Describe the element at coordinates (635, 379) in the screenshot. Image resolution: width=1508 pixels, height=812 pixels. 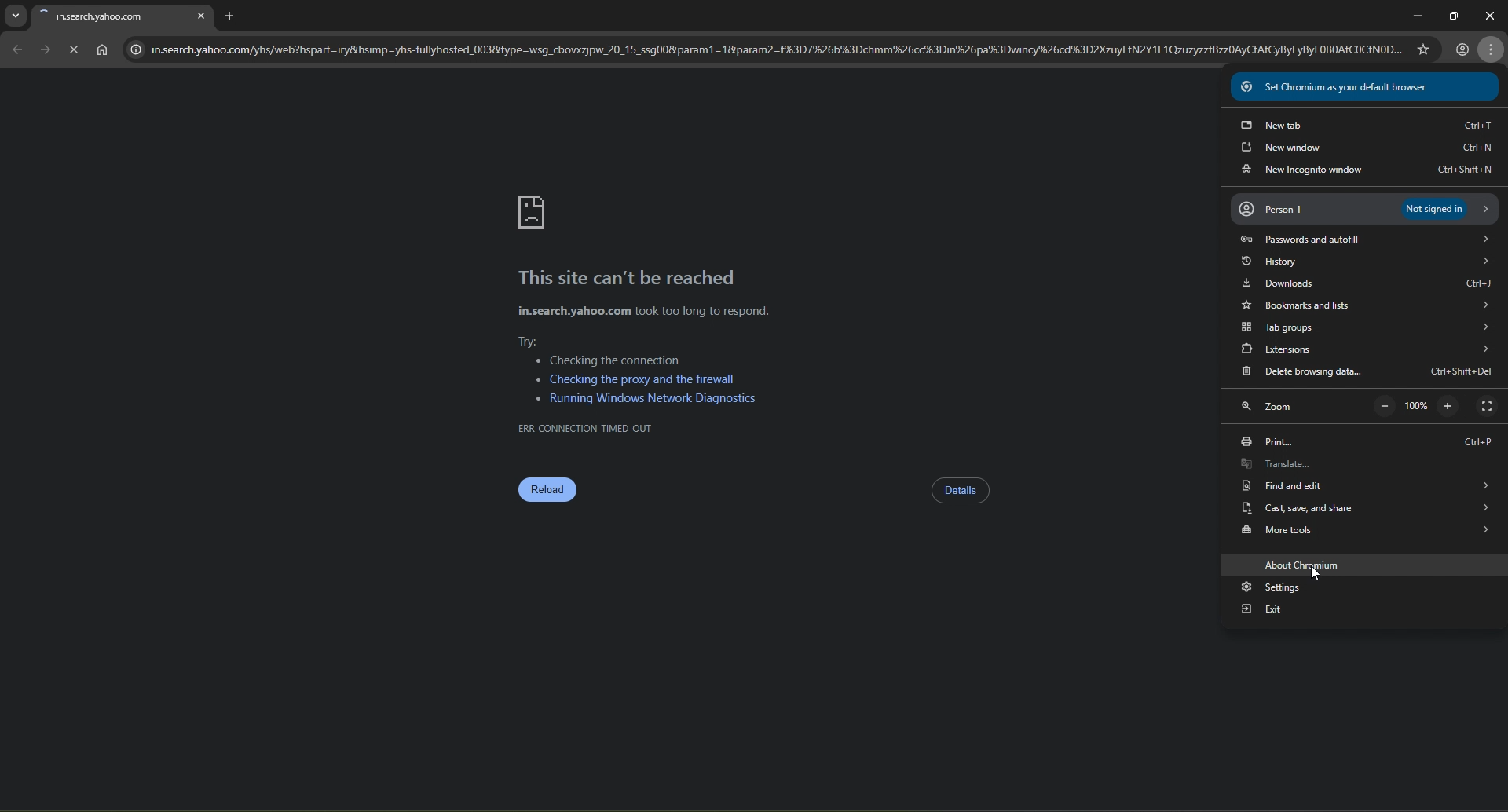
I see `checking the proxy and the firewall` at that location.